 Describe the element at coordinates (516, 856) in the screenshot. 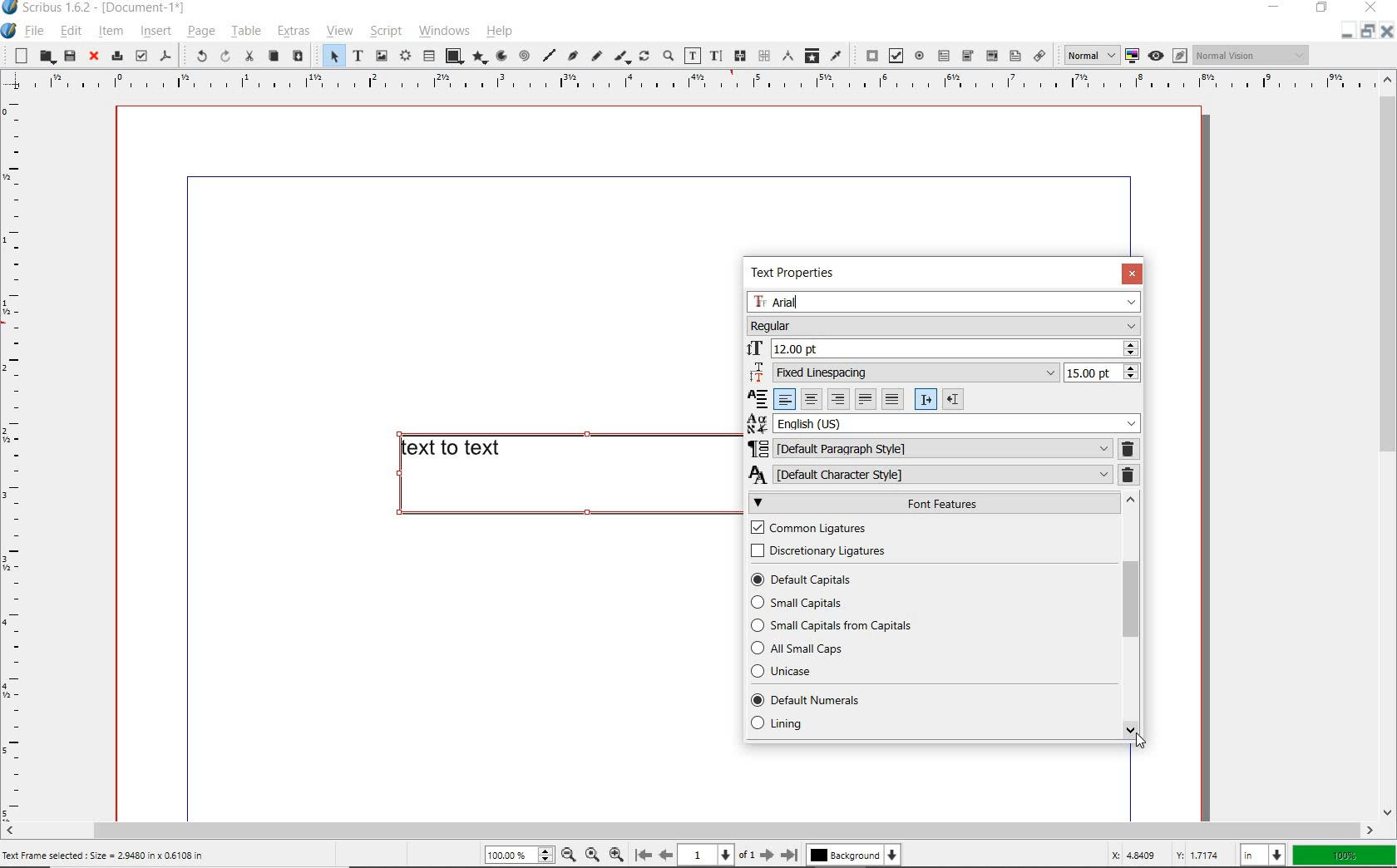

I see `100%` at that location.